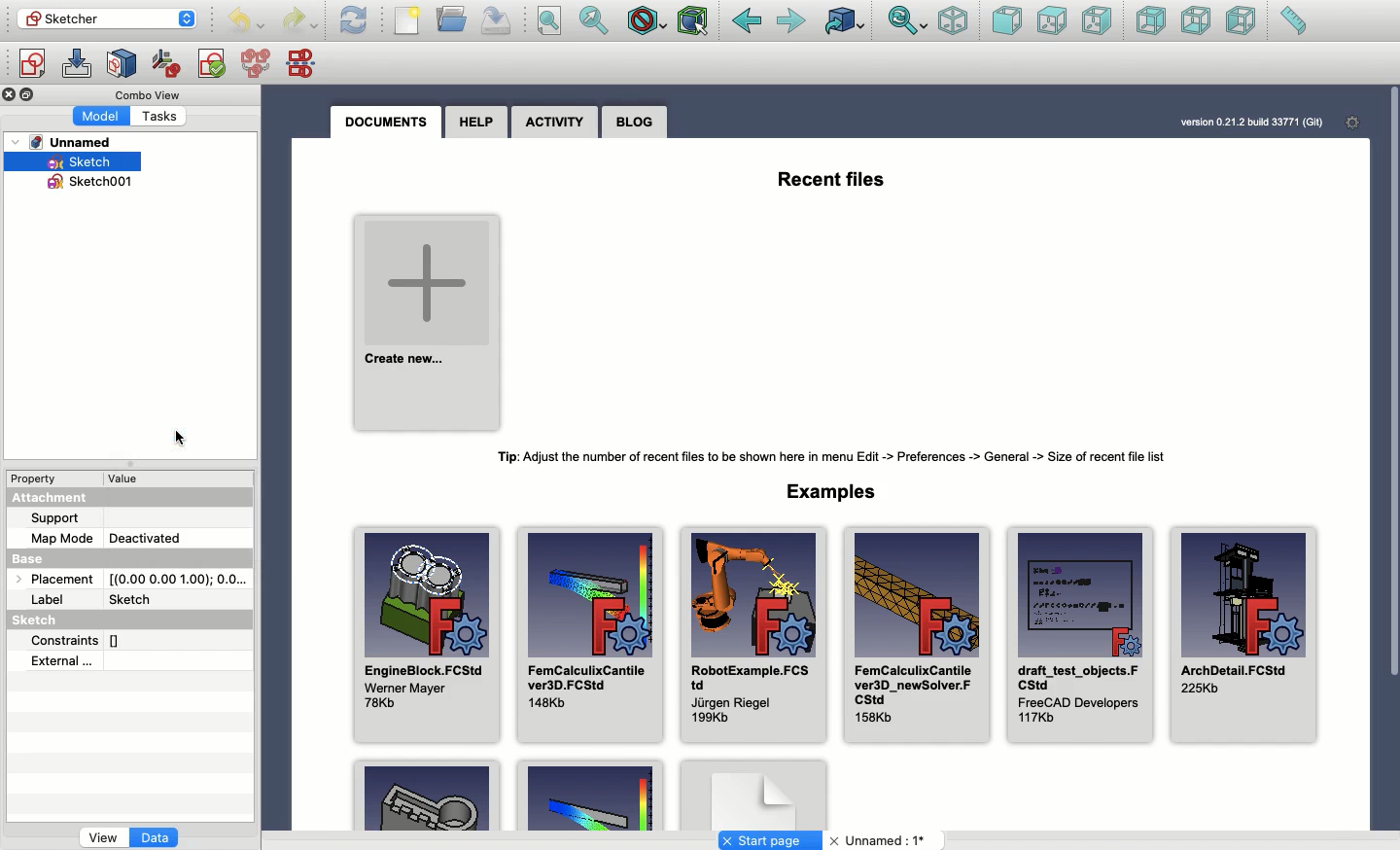  What do you see at coordinates (1151, 20) in the screenshot?
I see `Rear` at bounding box center [1151, 20].